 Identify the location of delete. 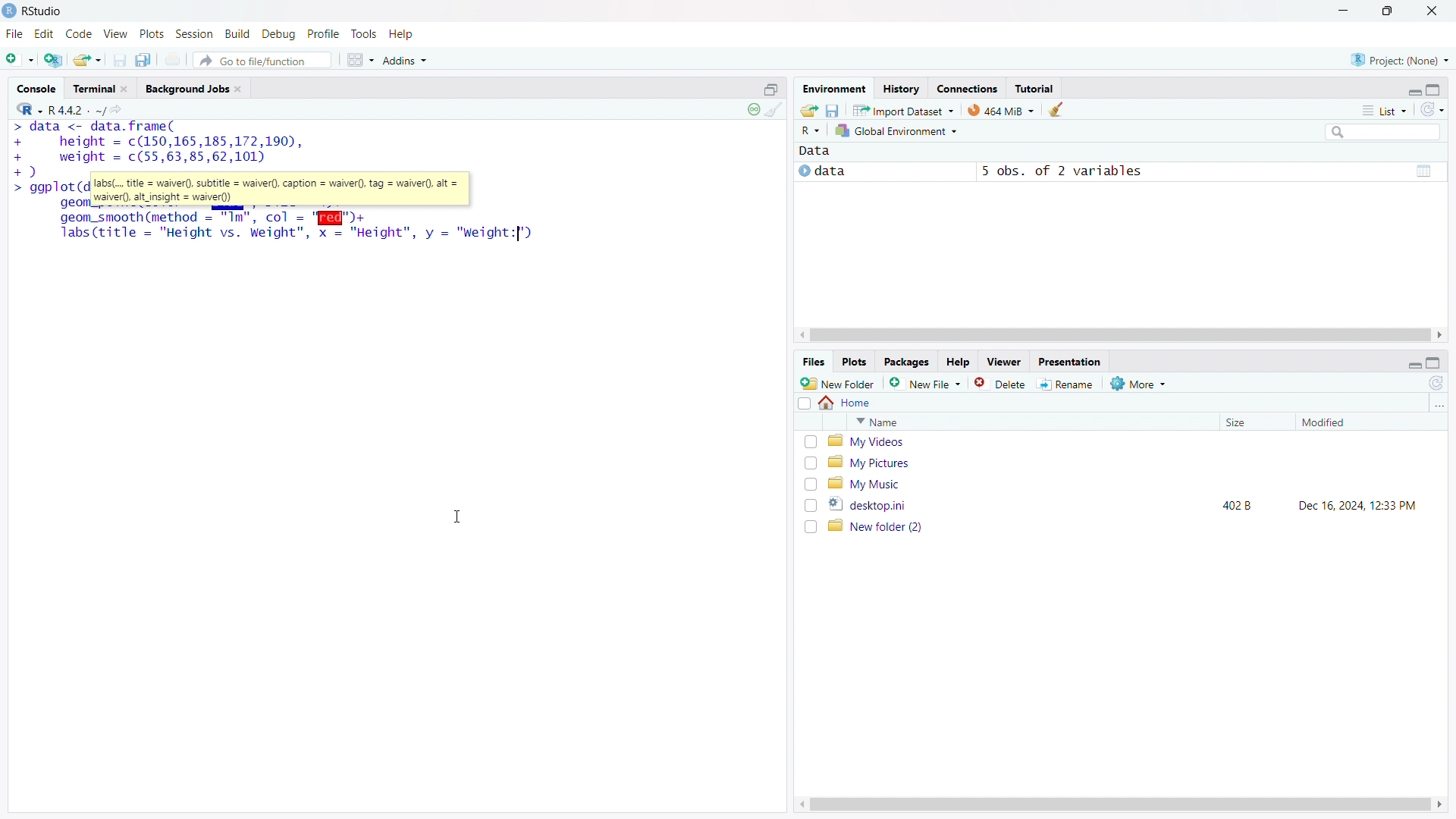
(1002, 383).